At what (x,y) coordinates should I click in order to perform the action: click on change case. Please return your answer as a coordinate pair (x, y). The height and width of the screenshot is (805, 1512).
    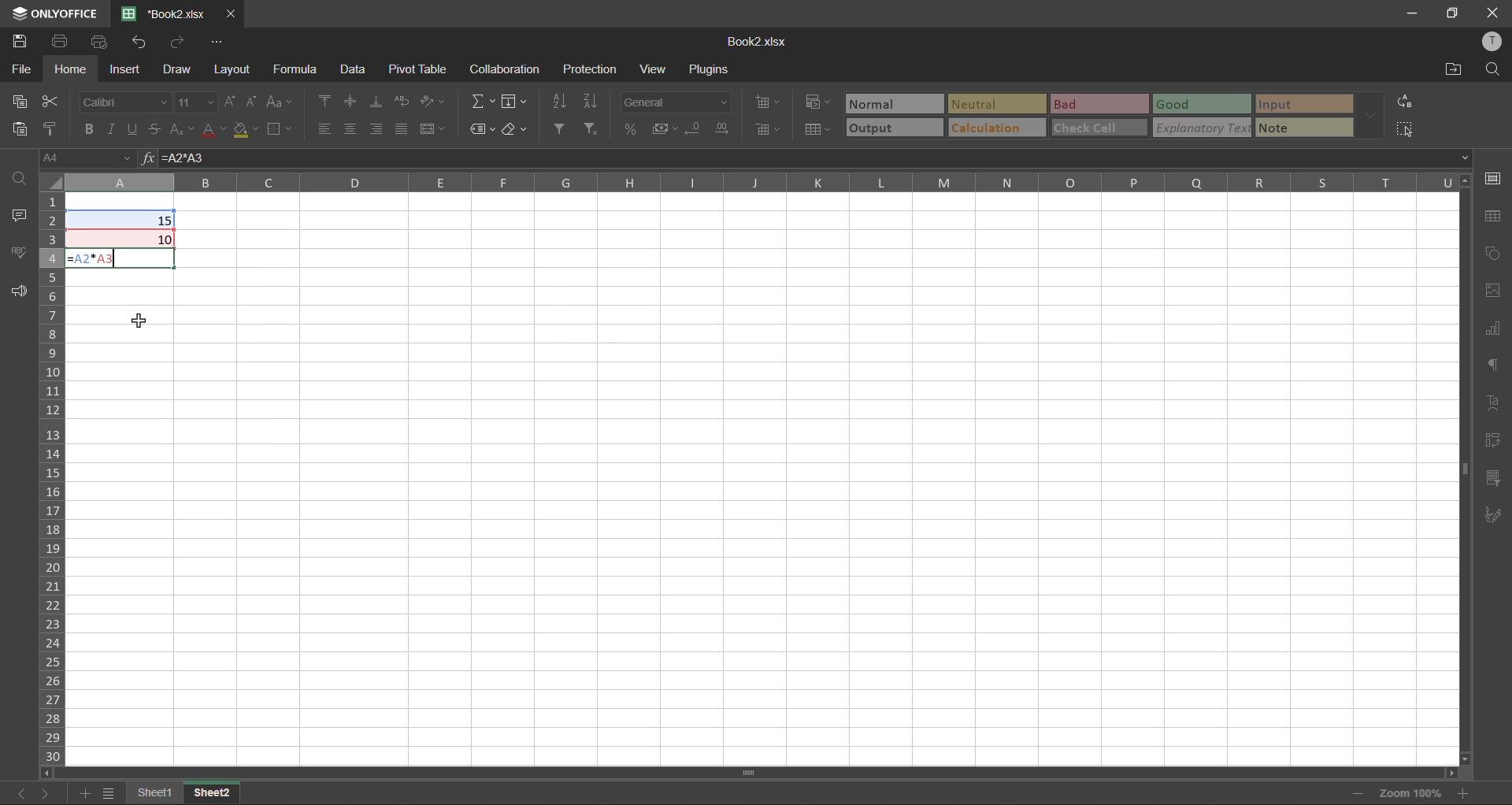
    Looking at the image, I should click on (277, 101).